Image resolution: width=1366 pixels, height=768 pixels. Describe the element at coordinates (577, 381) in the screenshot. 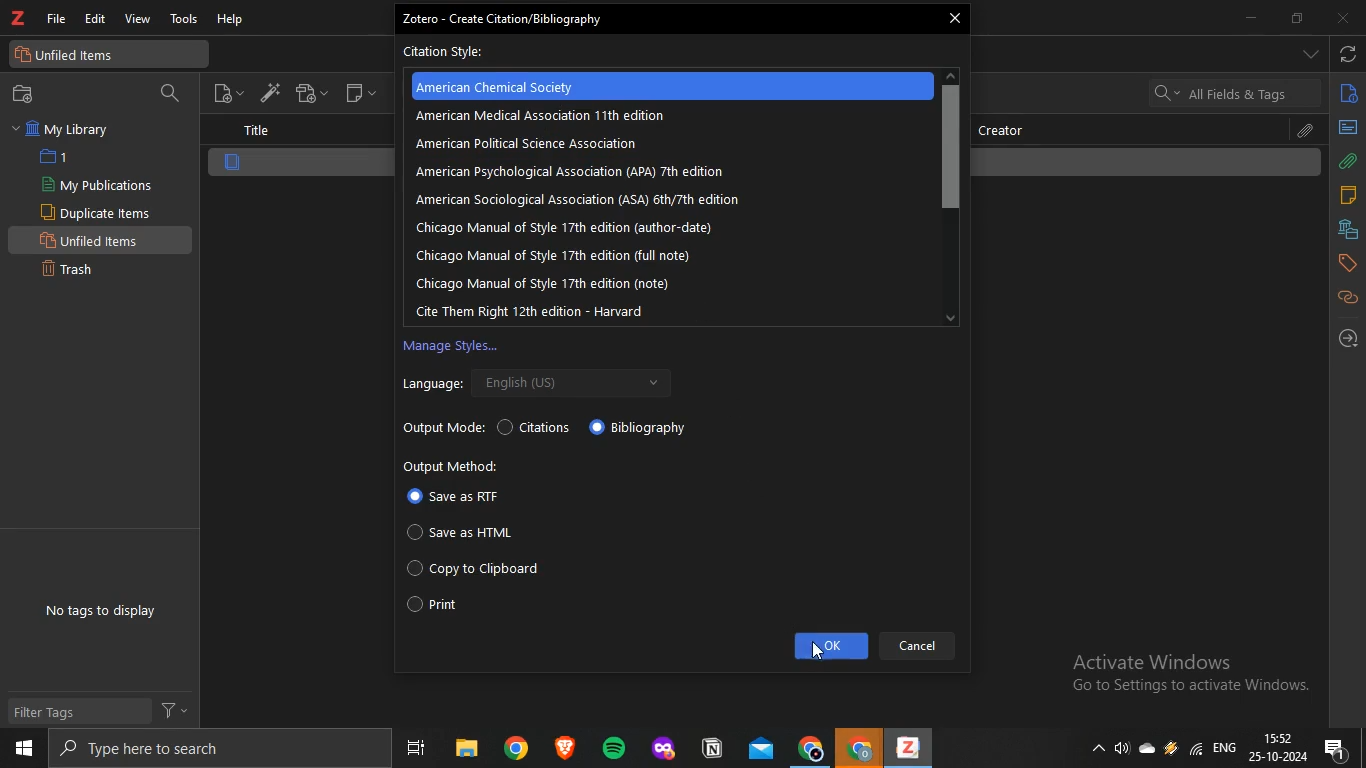

I see `English (US) v` at that location.